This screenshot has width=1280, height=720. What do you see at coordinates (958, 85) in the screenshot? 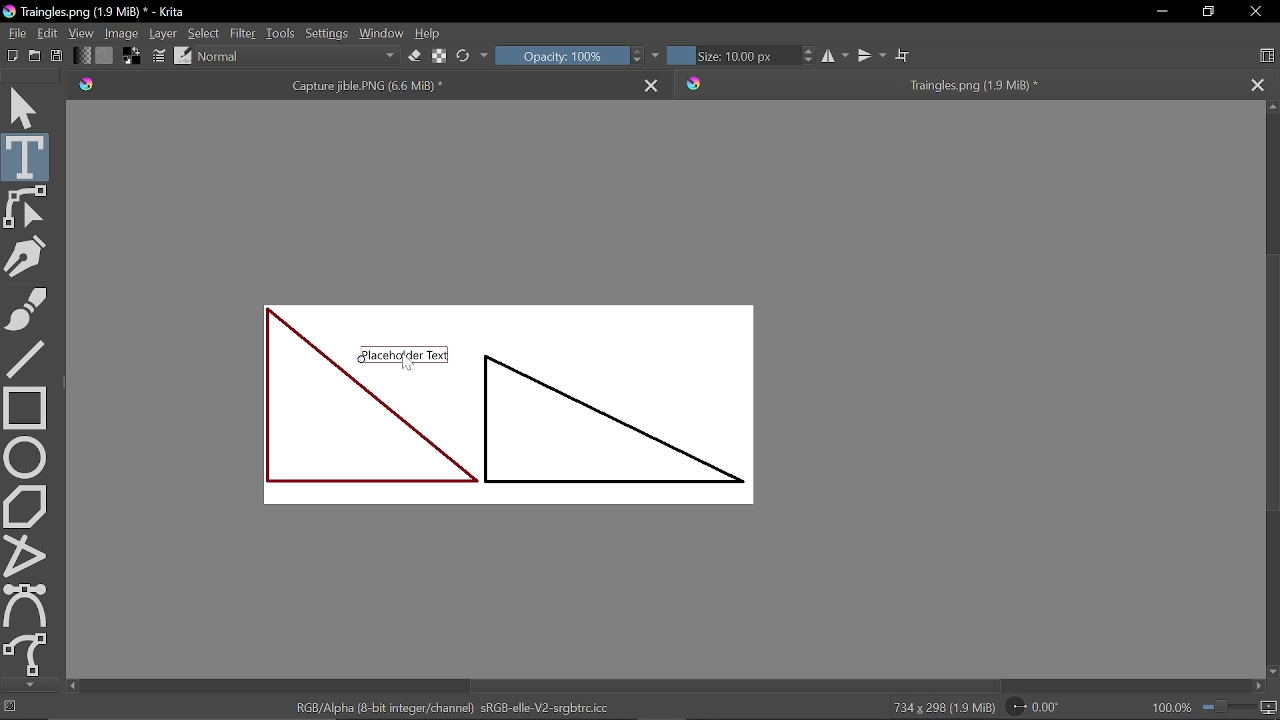
I see `Traingles.png (1.9 MiB) *` at bounding box center [958, 85].